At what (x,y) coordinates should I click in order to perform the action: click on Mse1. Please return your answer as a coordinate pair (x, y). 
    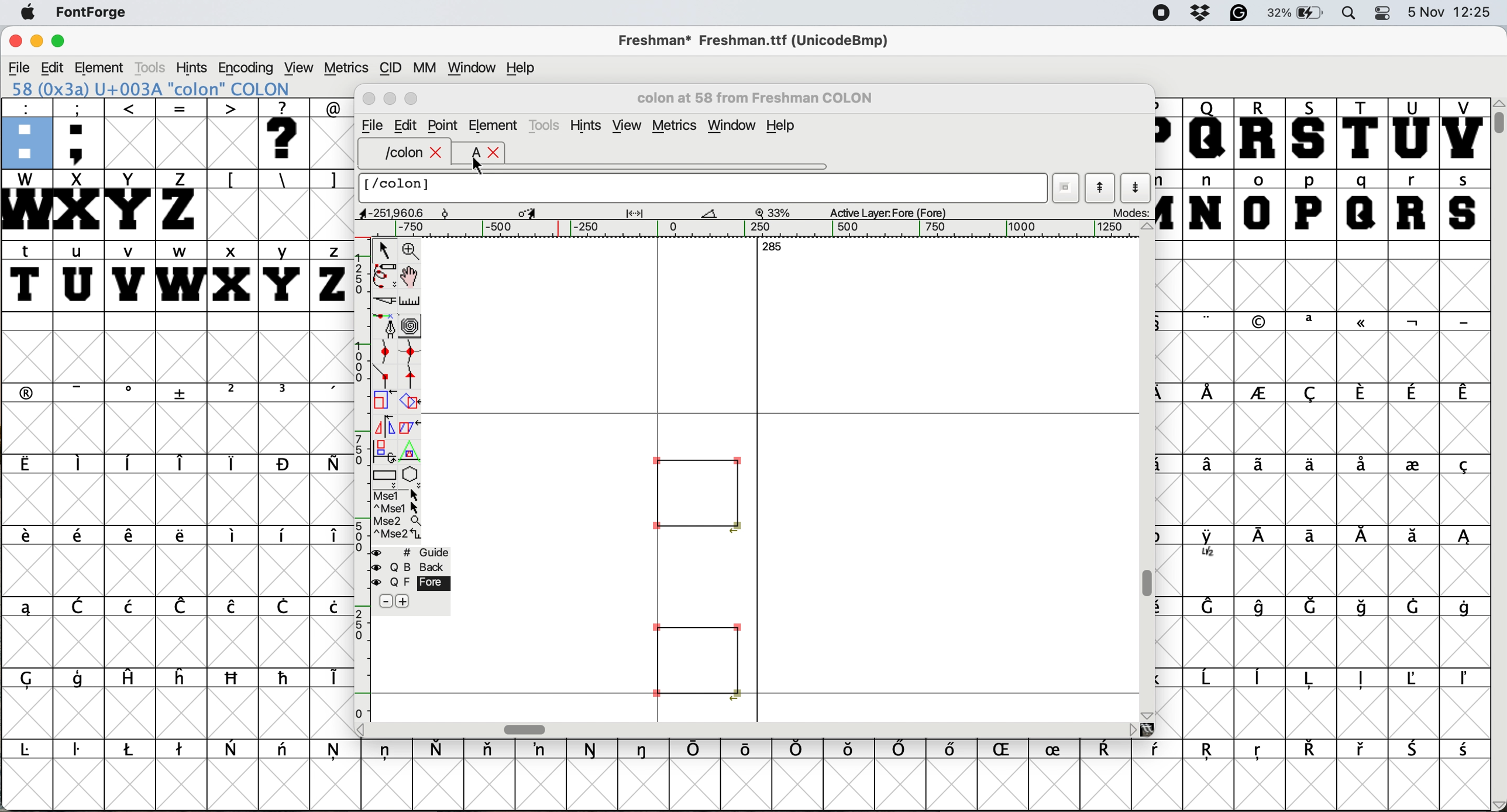
    Looking at the image, I should click on (399, 493).